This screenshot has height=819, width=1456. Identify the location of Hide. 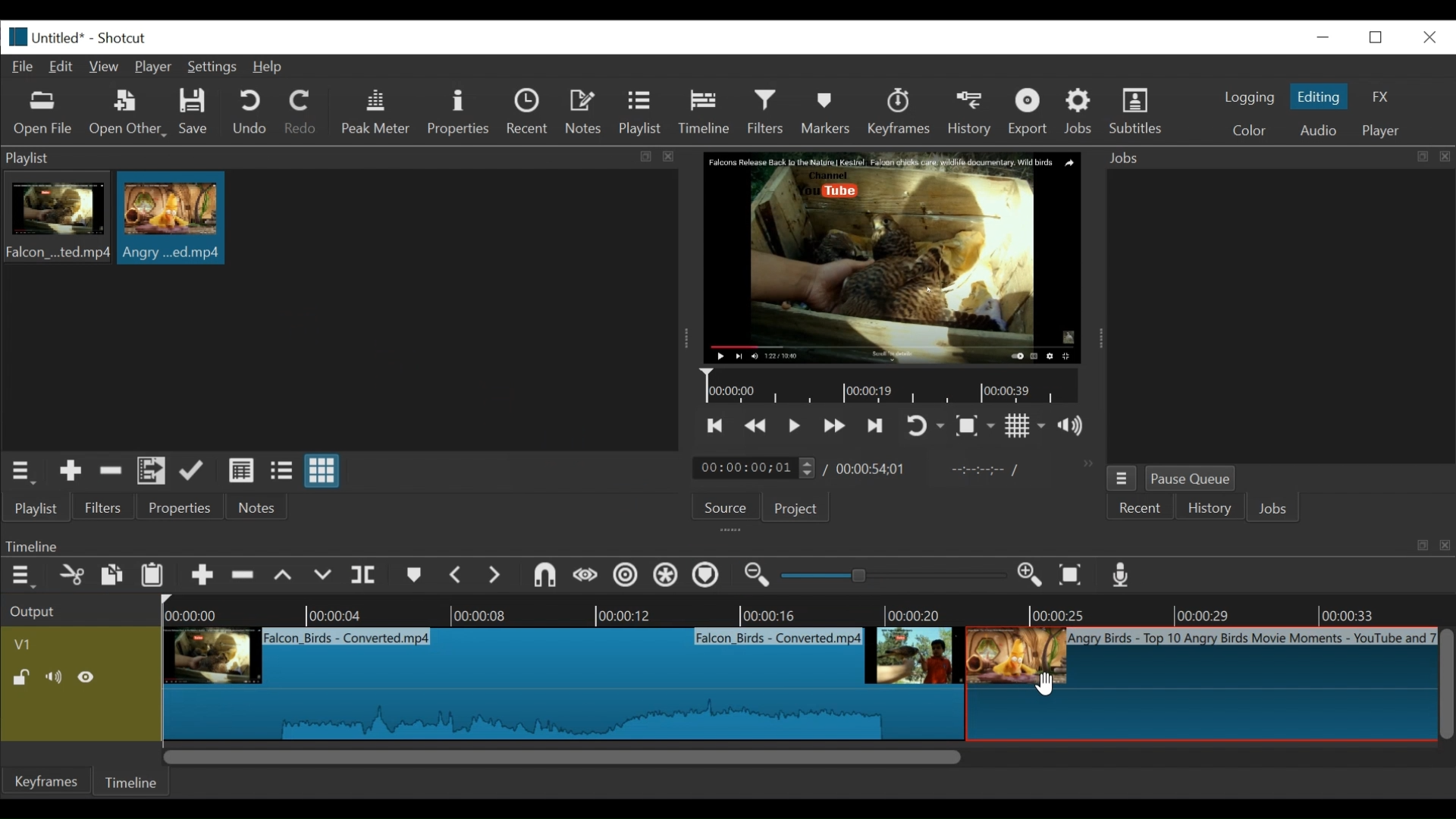
(90, 677).